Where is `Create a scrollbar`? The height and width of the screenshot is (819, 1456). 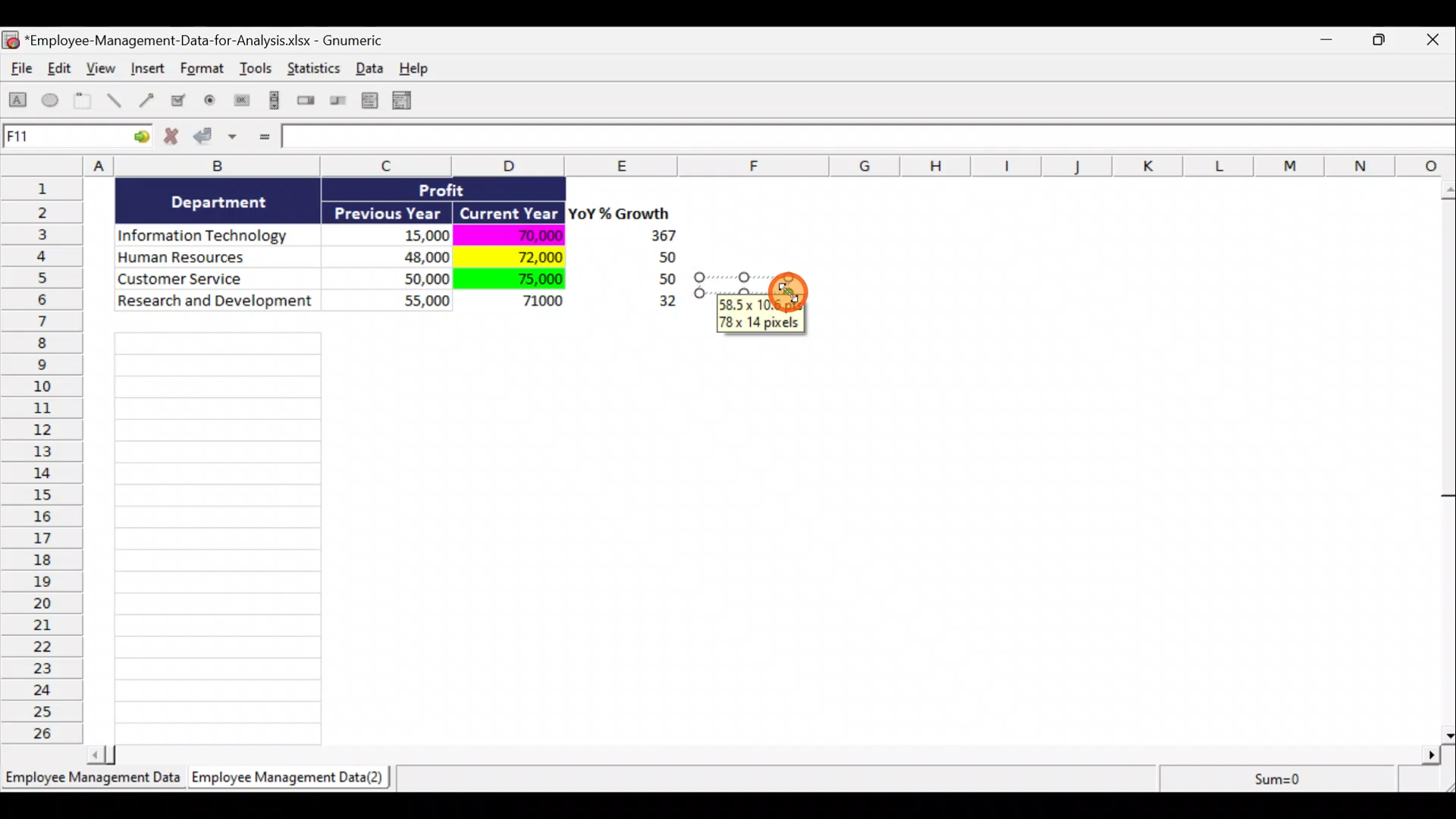
Create a scrollbar is located at coordinates (272, 103).